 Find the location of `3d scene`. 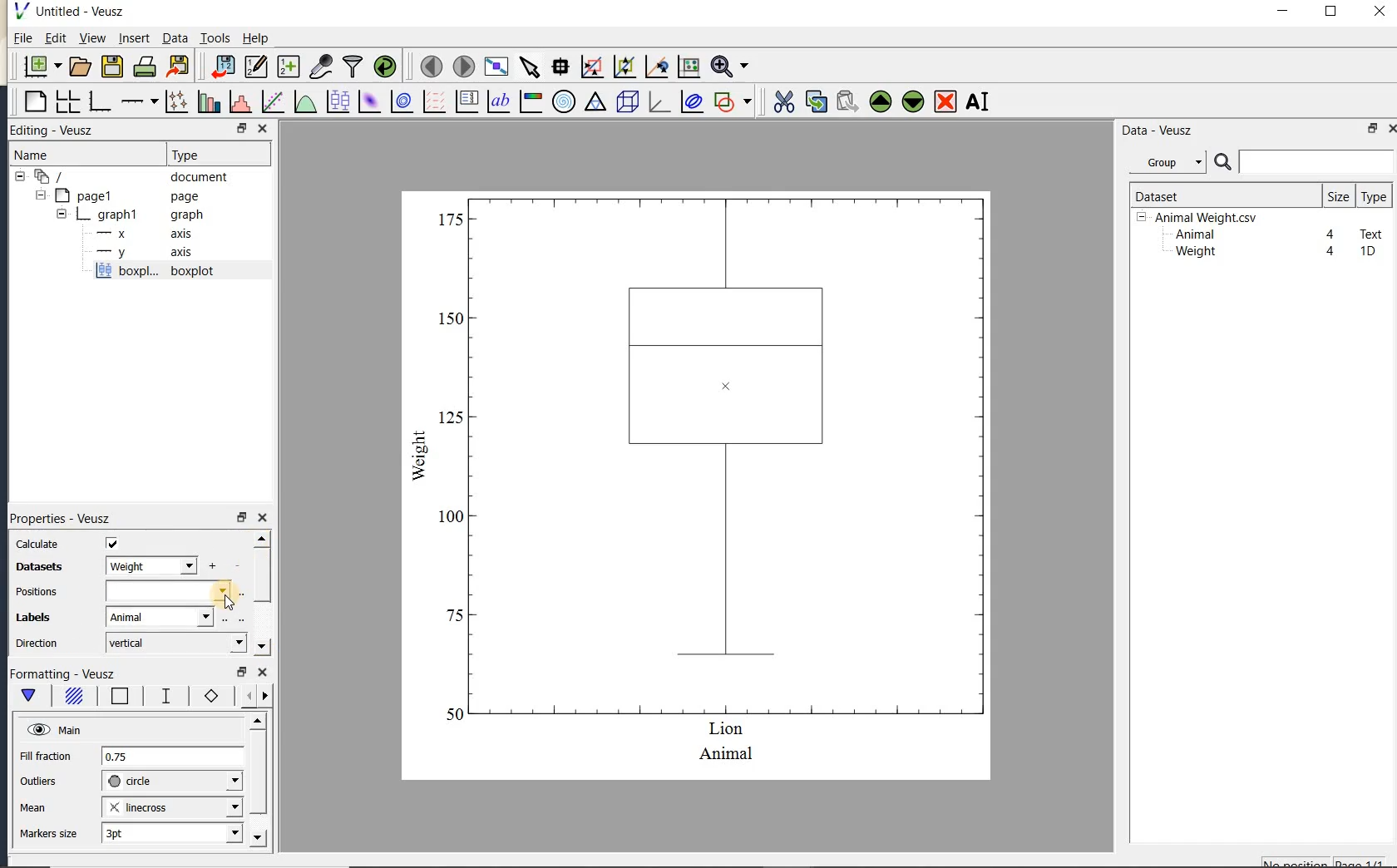

3d scene is located at coordinates (625, 102).